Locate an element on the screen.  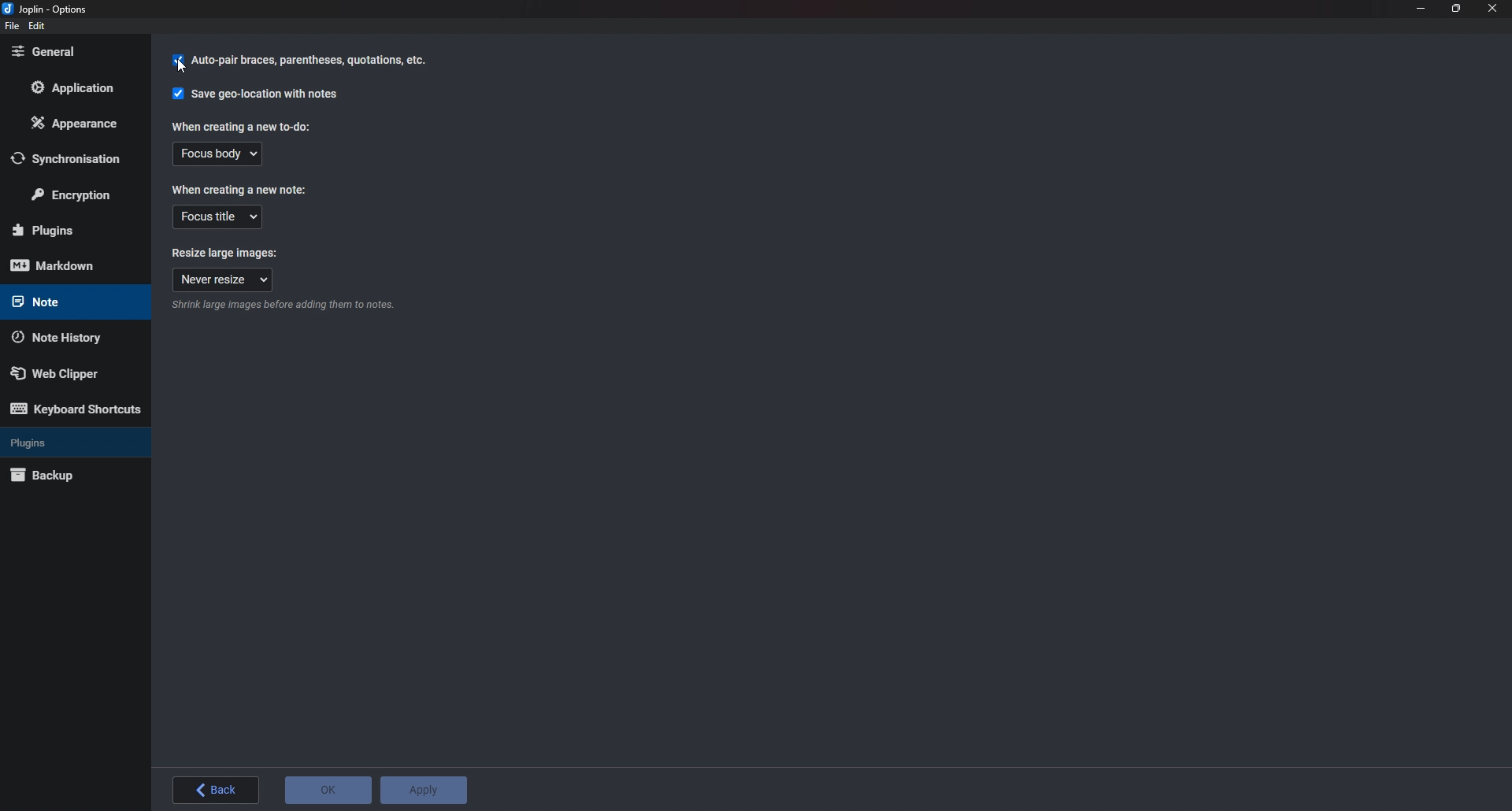
Resize is located at coordinates (1458, 9).